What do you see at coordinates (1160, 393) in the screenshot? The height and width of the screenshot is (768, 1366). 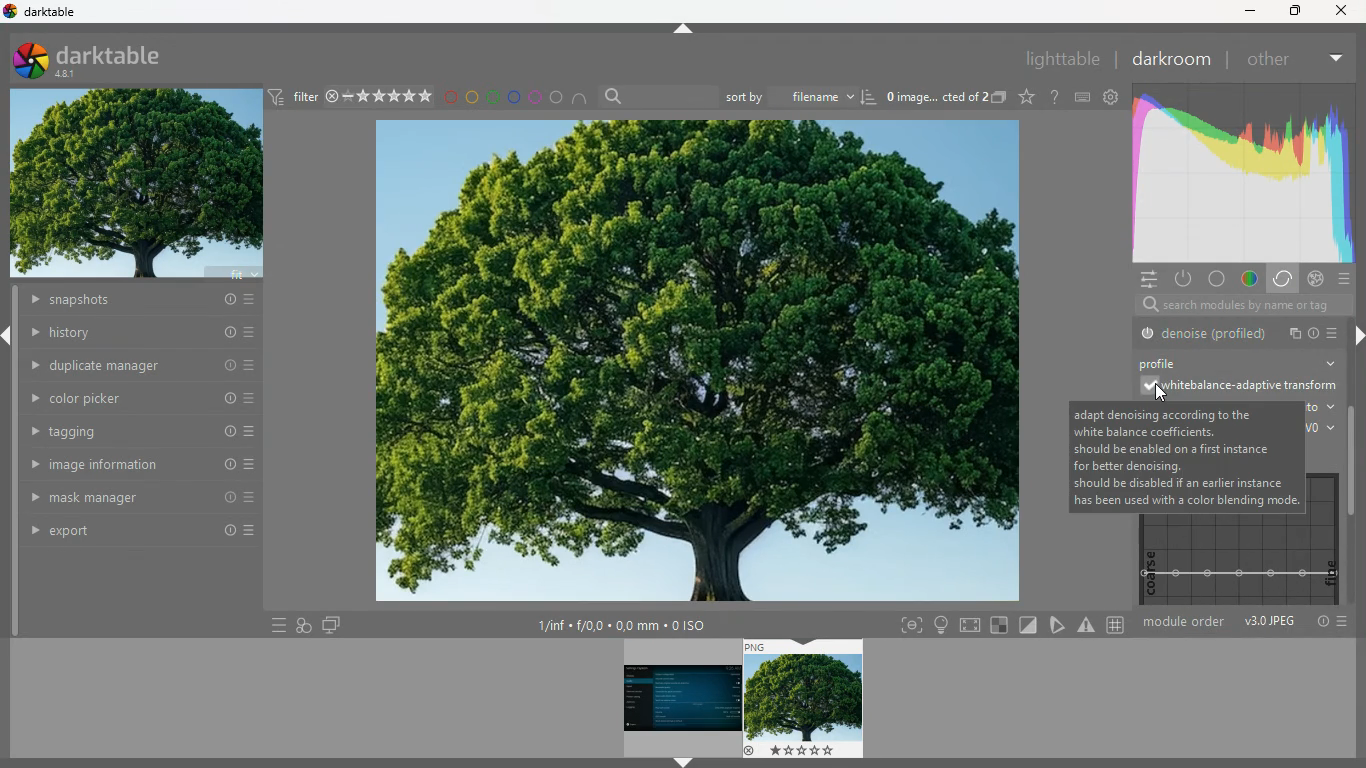 I see `cursor` at bounding box center [1160, 393].